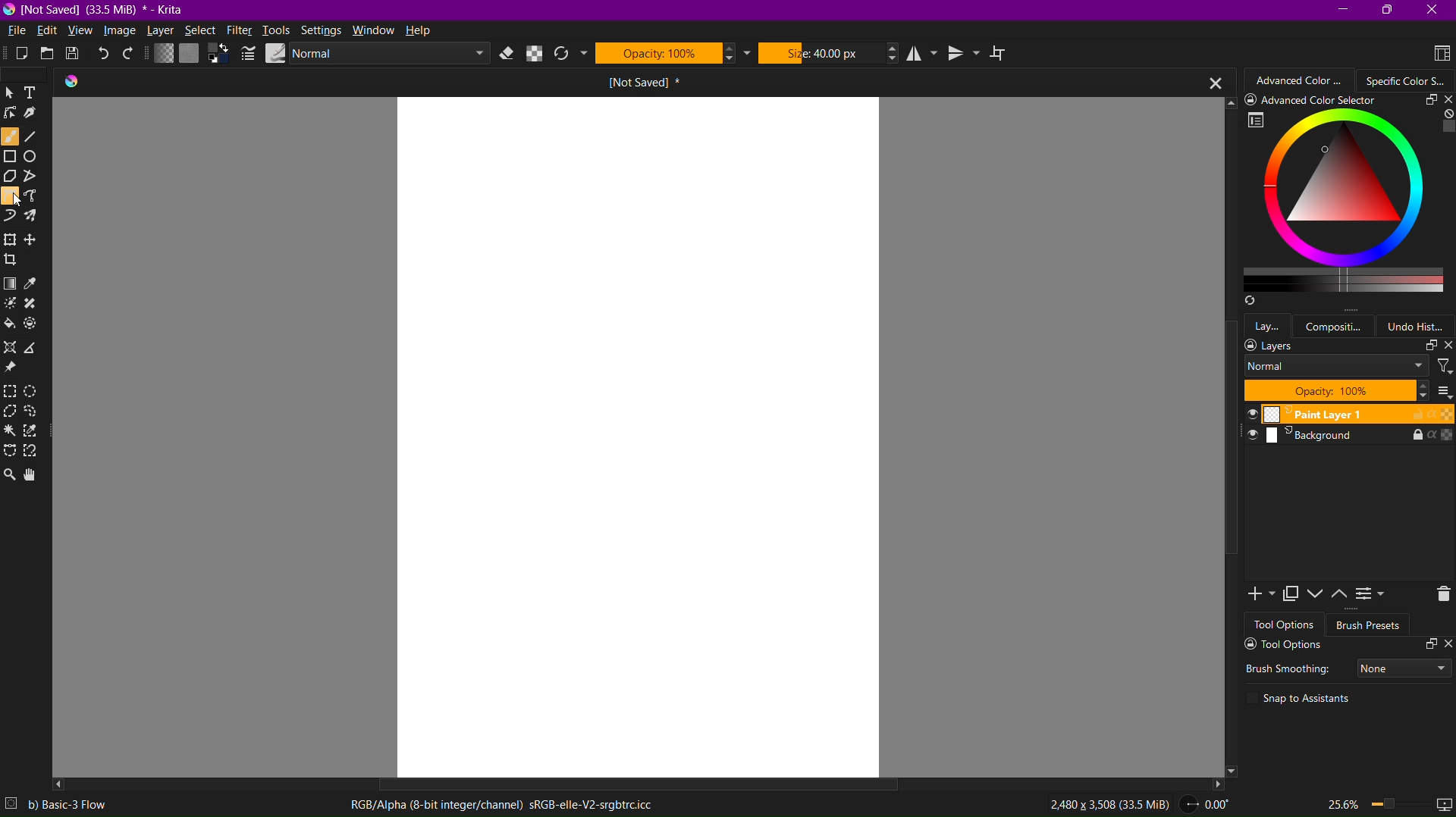 This screenshot has height=817, width=1456. Describe the element at coordinates (1286, 624) in the screenshot. I see `Tool Options` at that location.